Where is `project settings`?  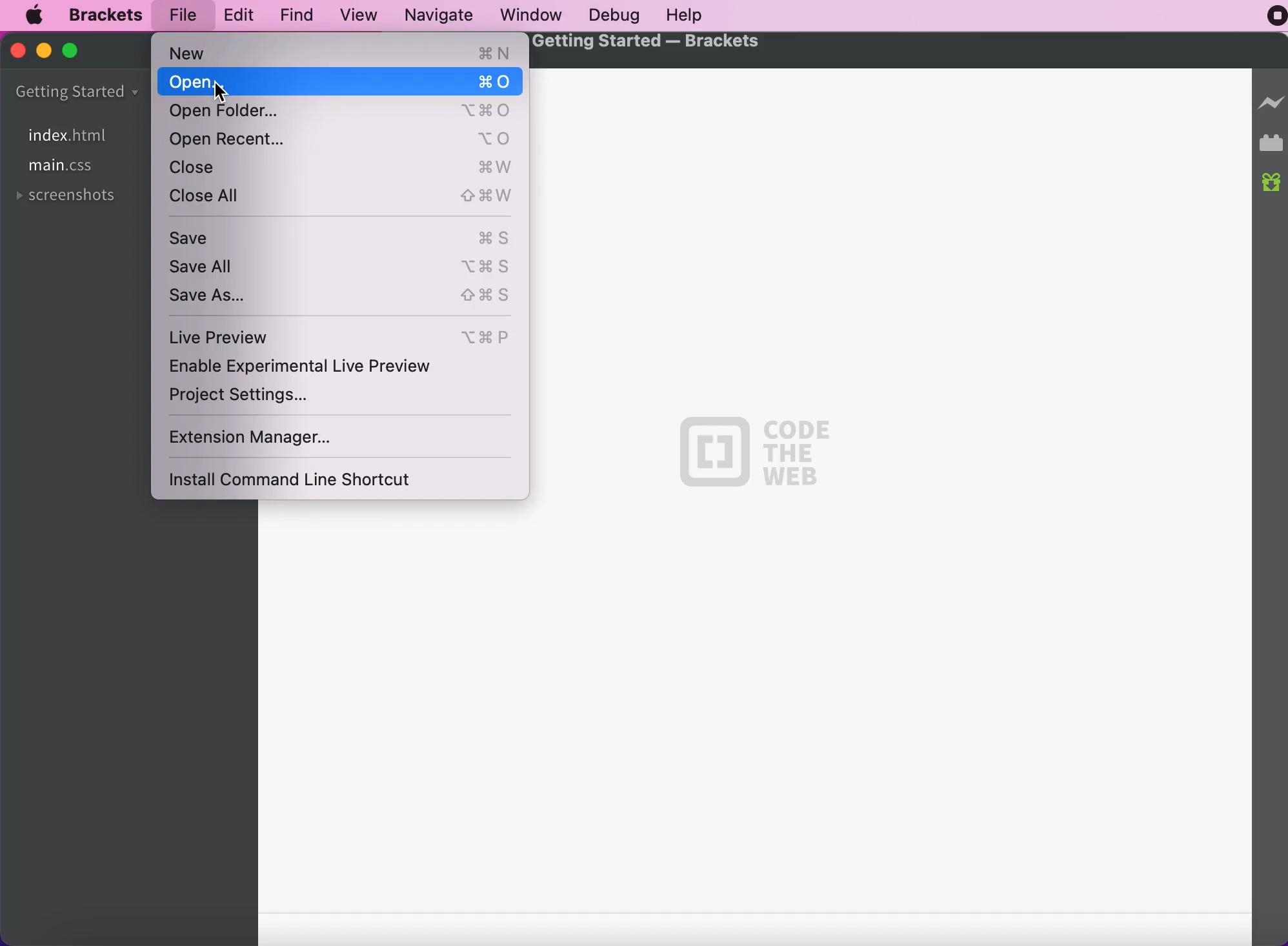 project settings is located at coordinates (248, 398).